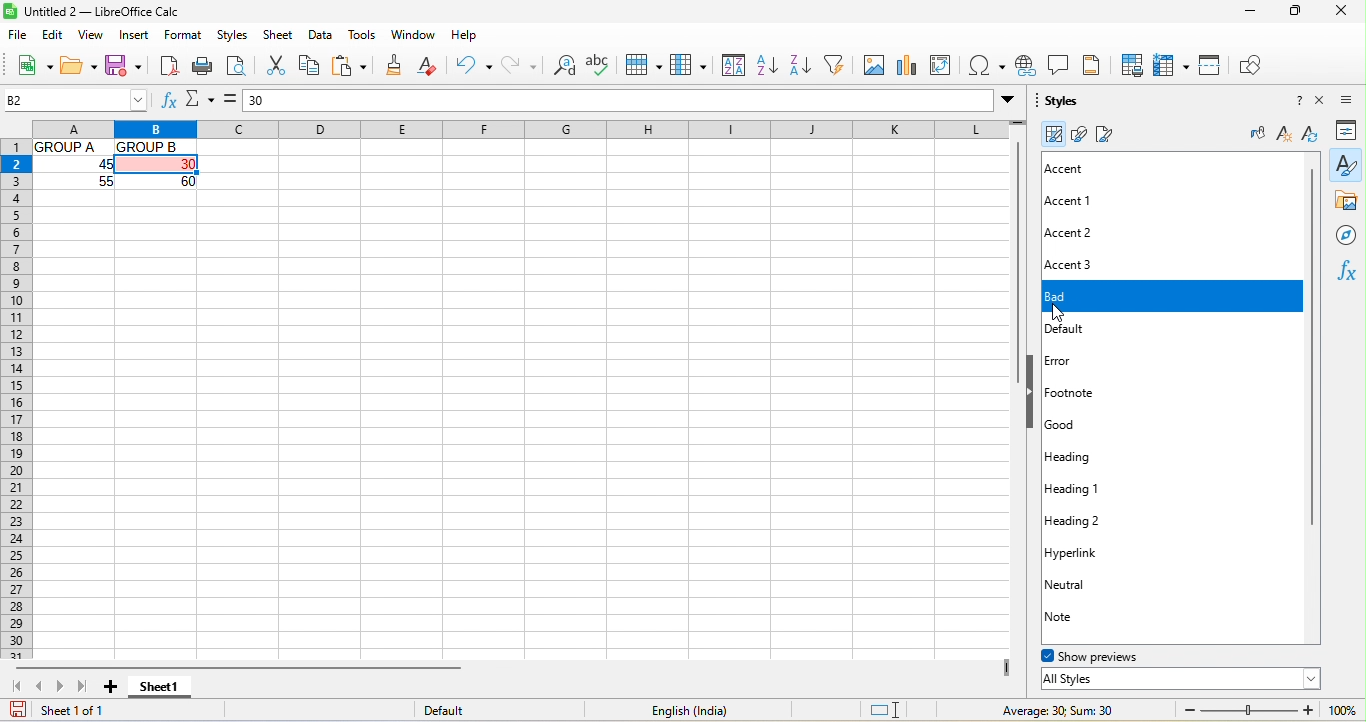 The width and height of the screenshot is (1366, 722). I want to click on undo, so click(478, 65).